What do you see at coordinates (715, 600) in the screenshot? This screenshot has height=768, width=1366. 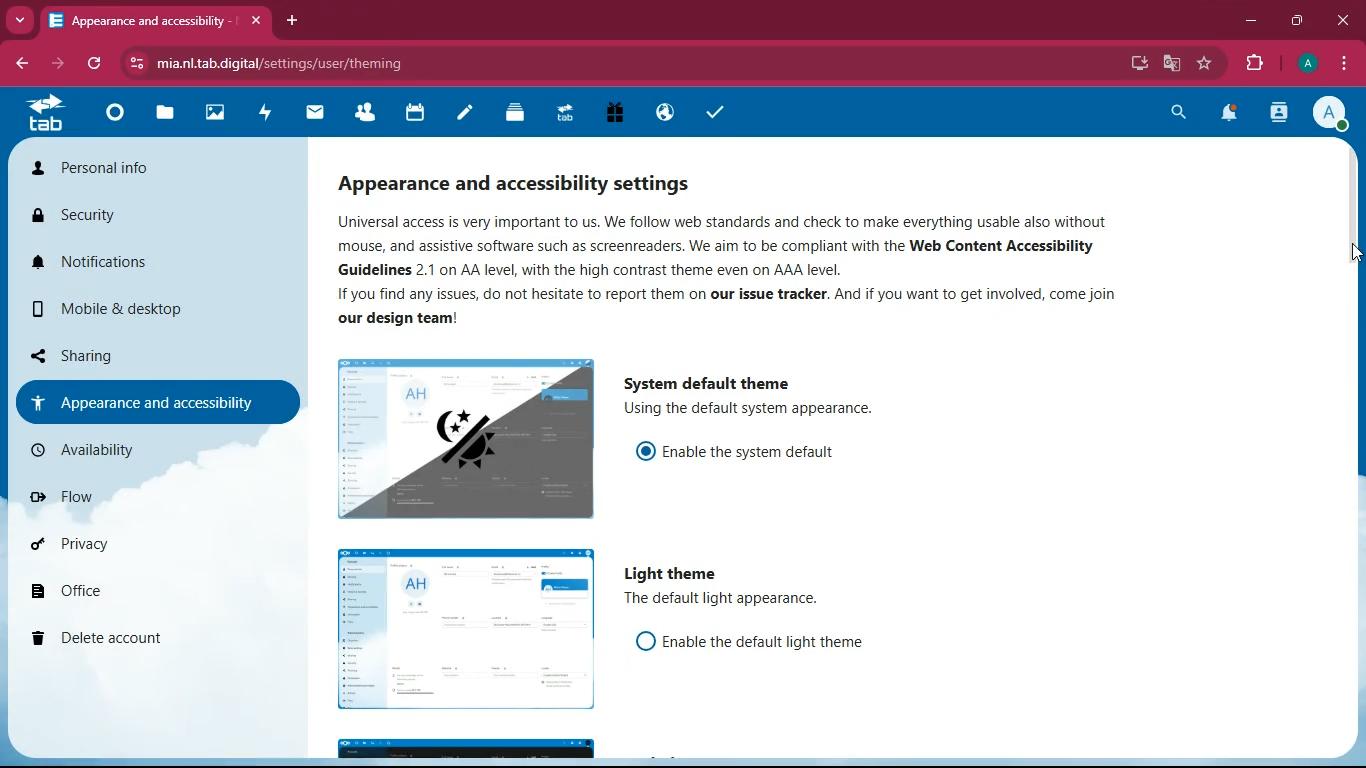 I see `description` at bounding box center [715, 600].